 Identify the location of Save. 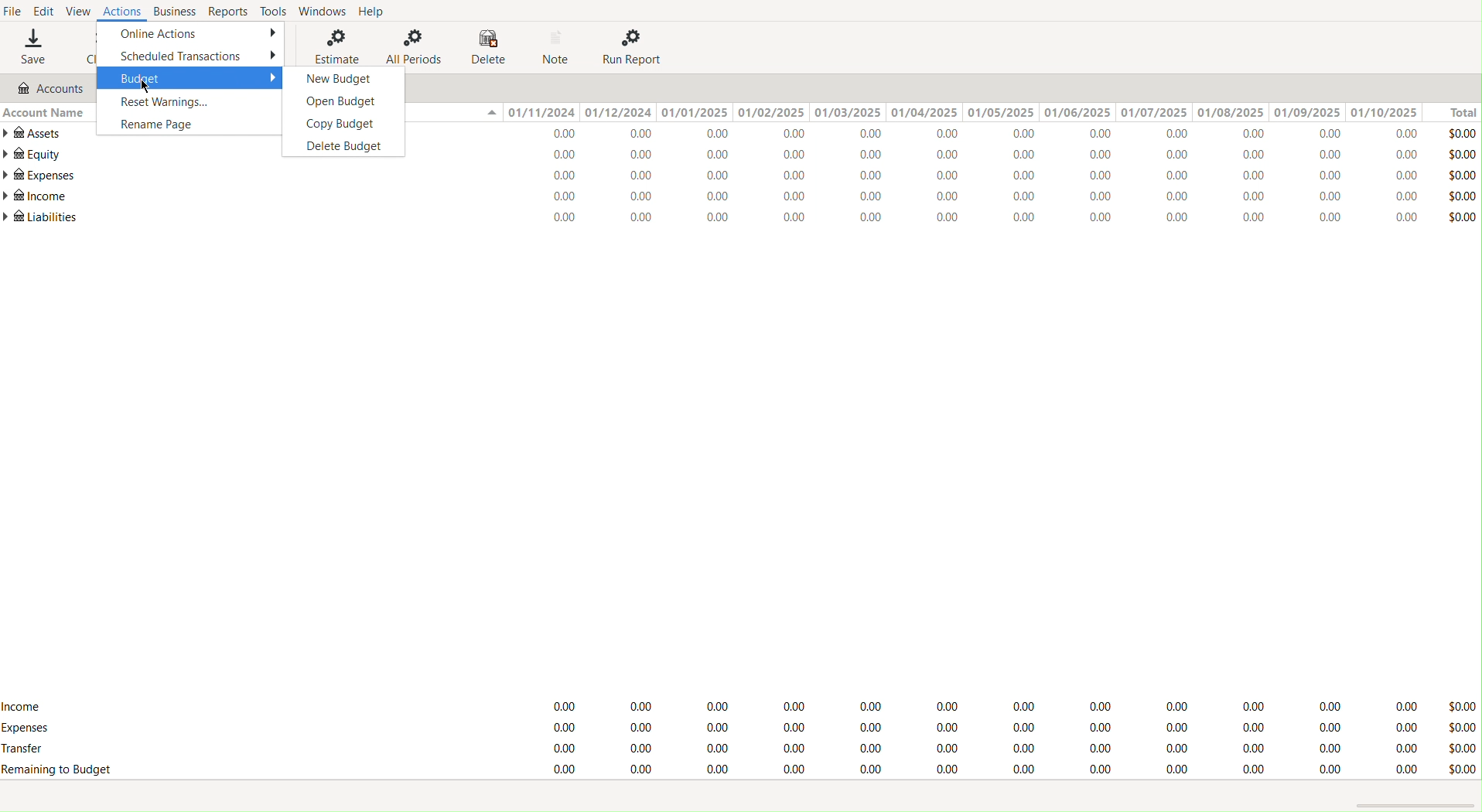
(32, 49).